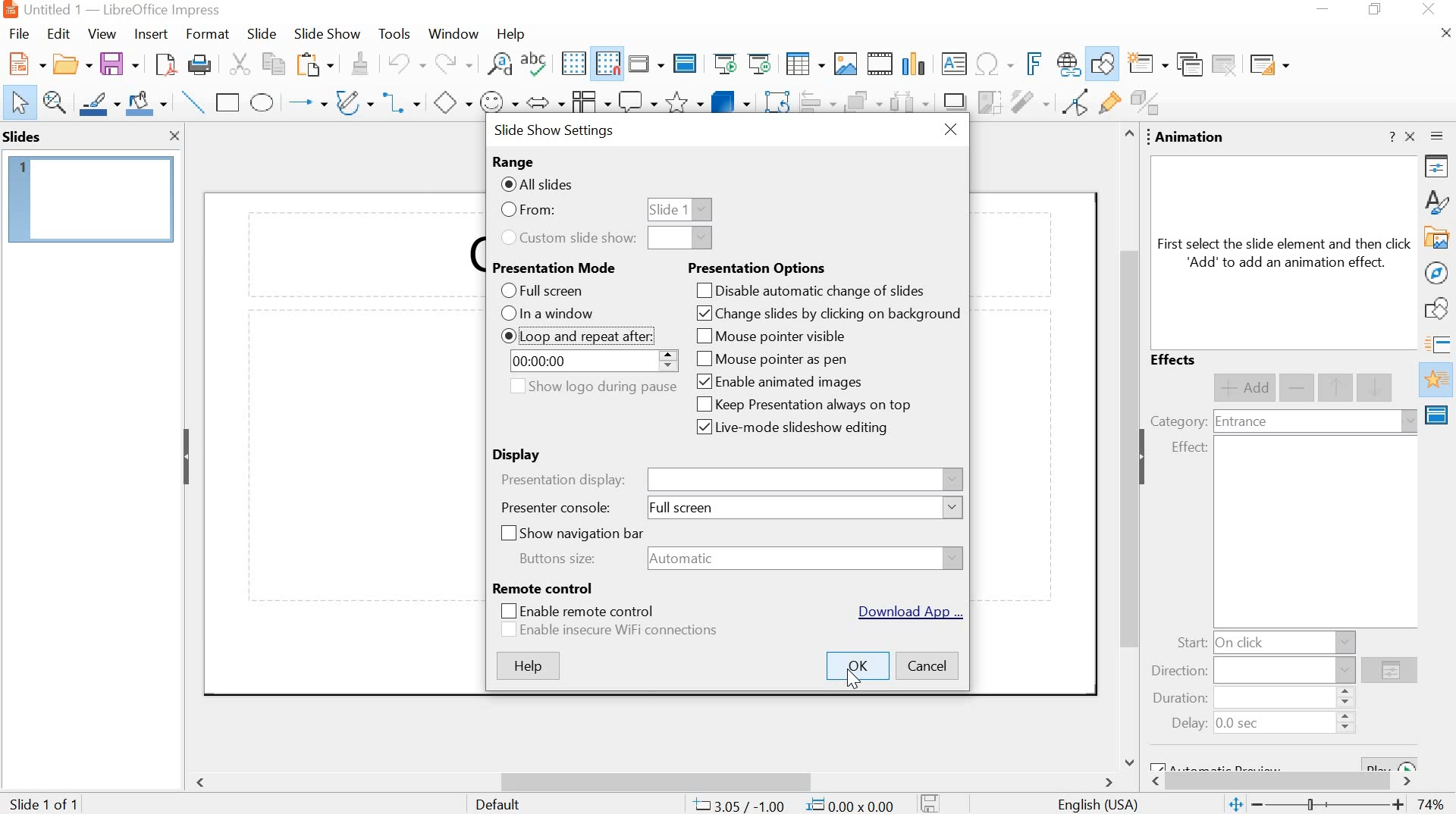  Describe the element at coordinates (544, 588) in the screenshot. I see `remote control` at that location.